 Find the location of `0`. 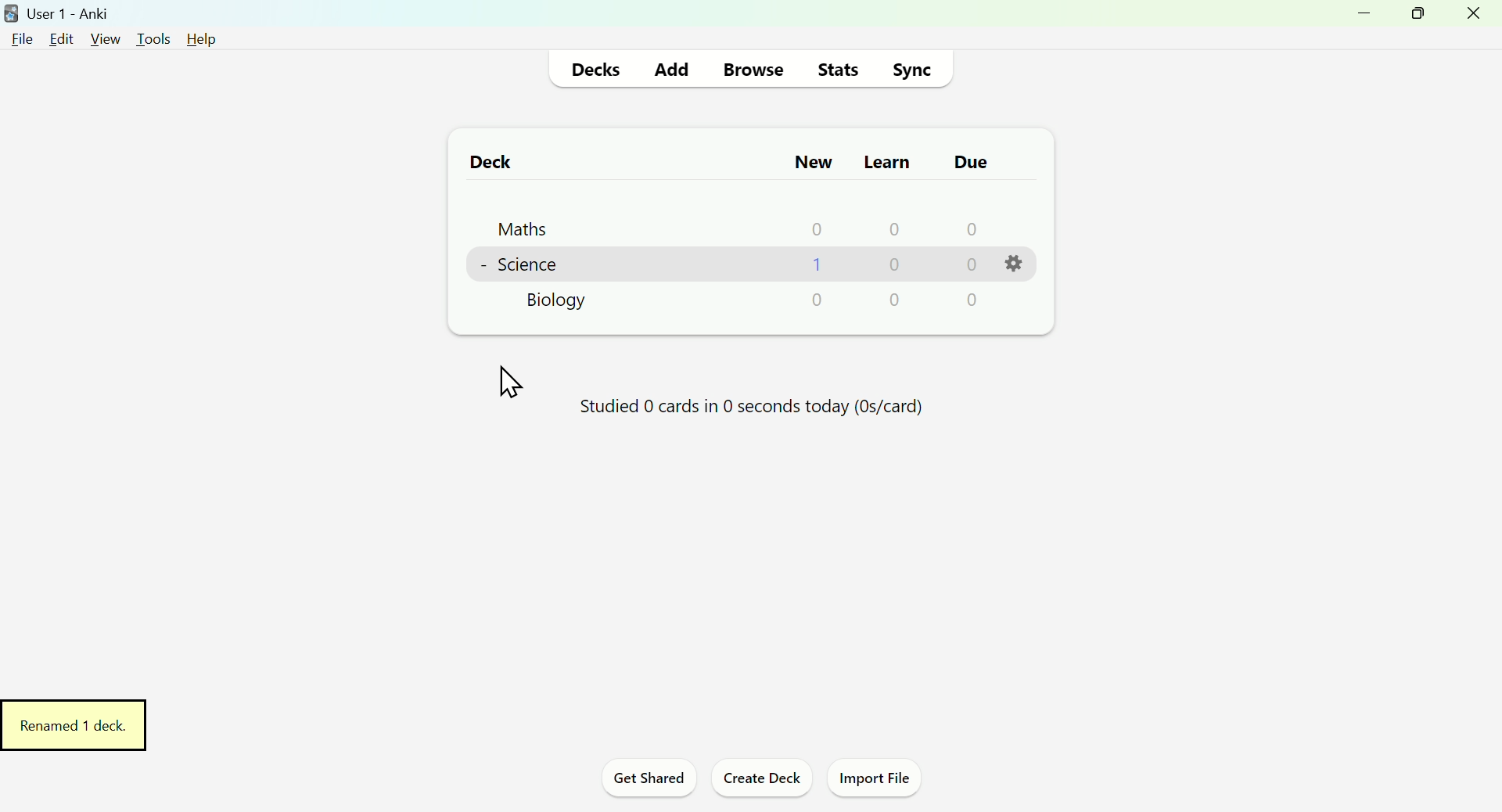

0 is located at coordinates (972, 300).